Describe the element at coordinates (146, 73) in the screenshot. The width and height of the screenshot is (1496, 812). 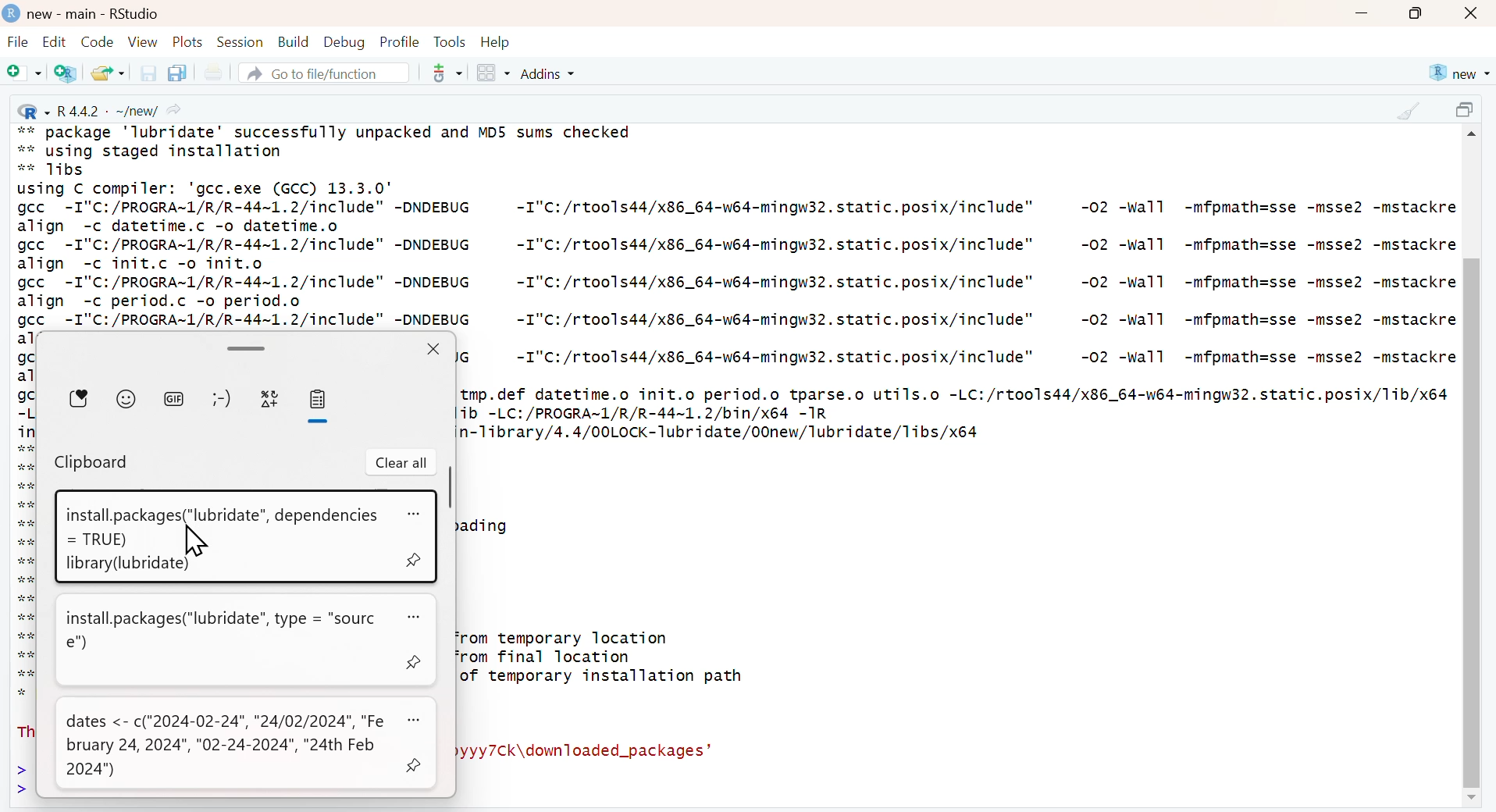
I see `save the current document` at that location.